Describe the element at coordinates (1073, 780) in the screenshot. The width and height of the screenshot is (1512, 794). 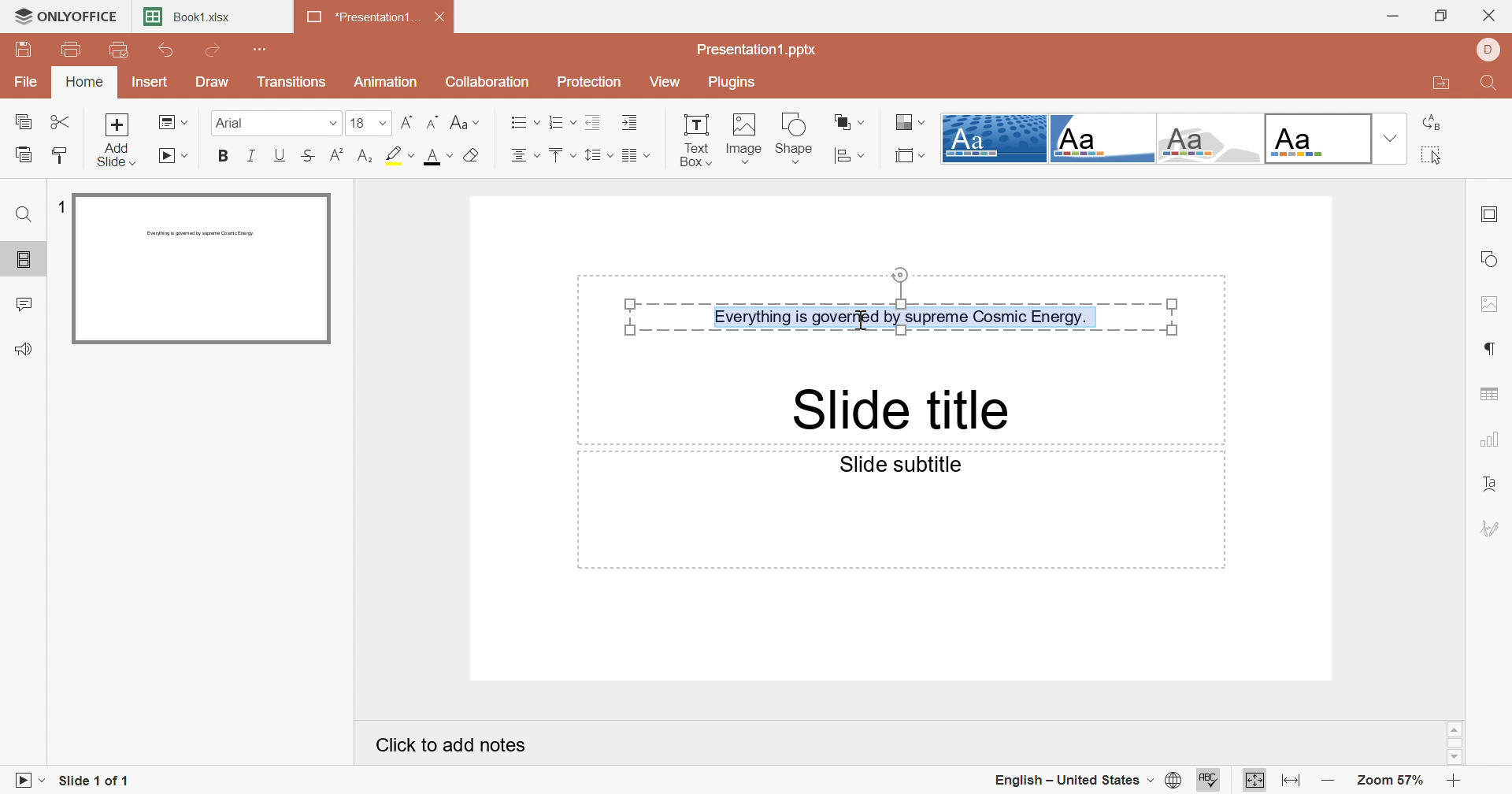
I see `English - United States` at that location.